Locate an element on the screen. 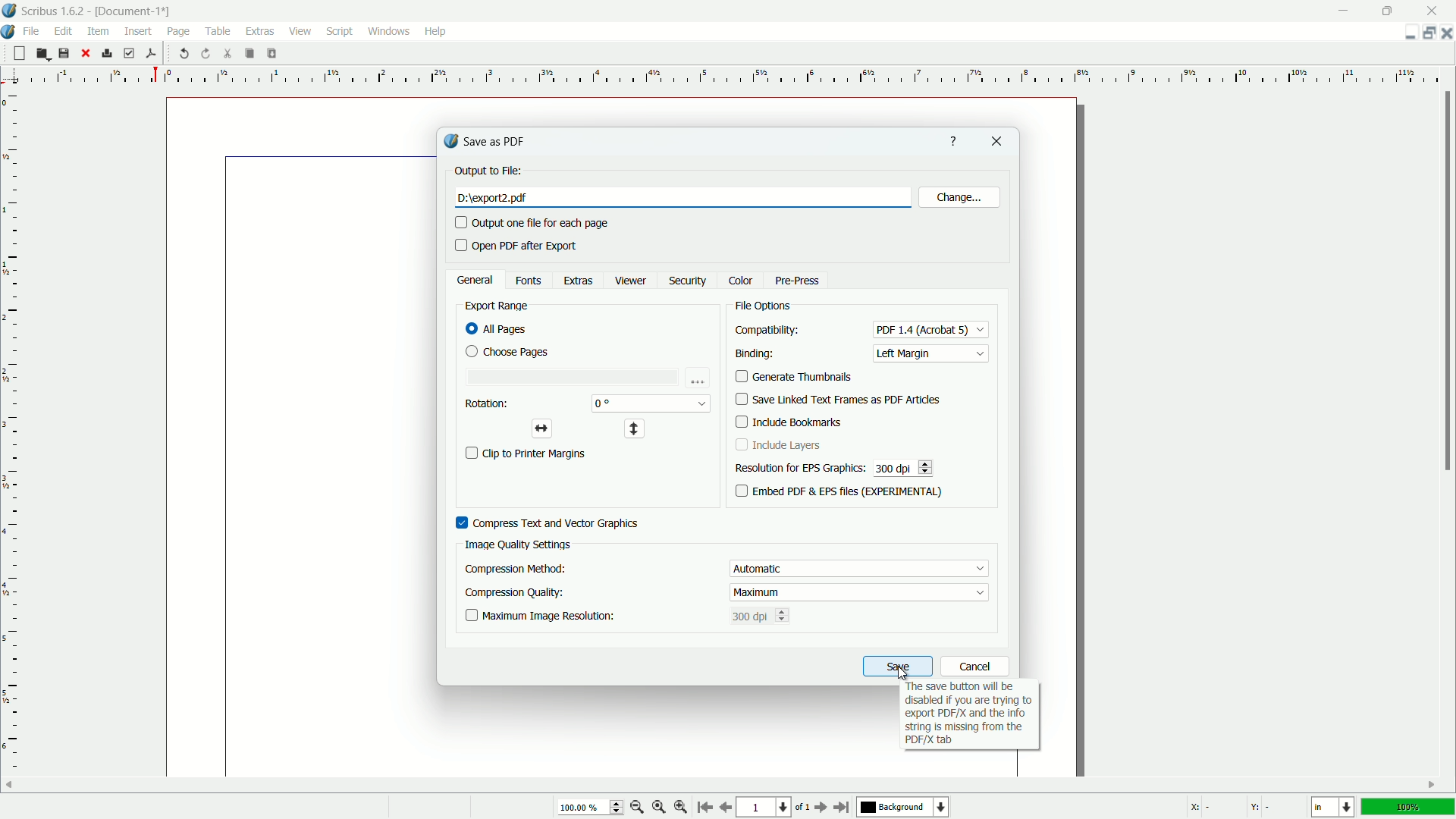 The image size is (1456, 819). scroll bar is located at coordinates (1446, 281).